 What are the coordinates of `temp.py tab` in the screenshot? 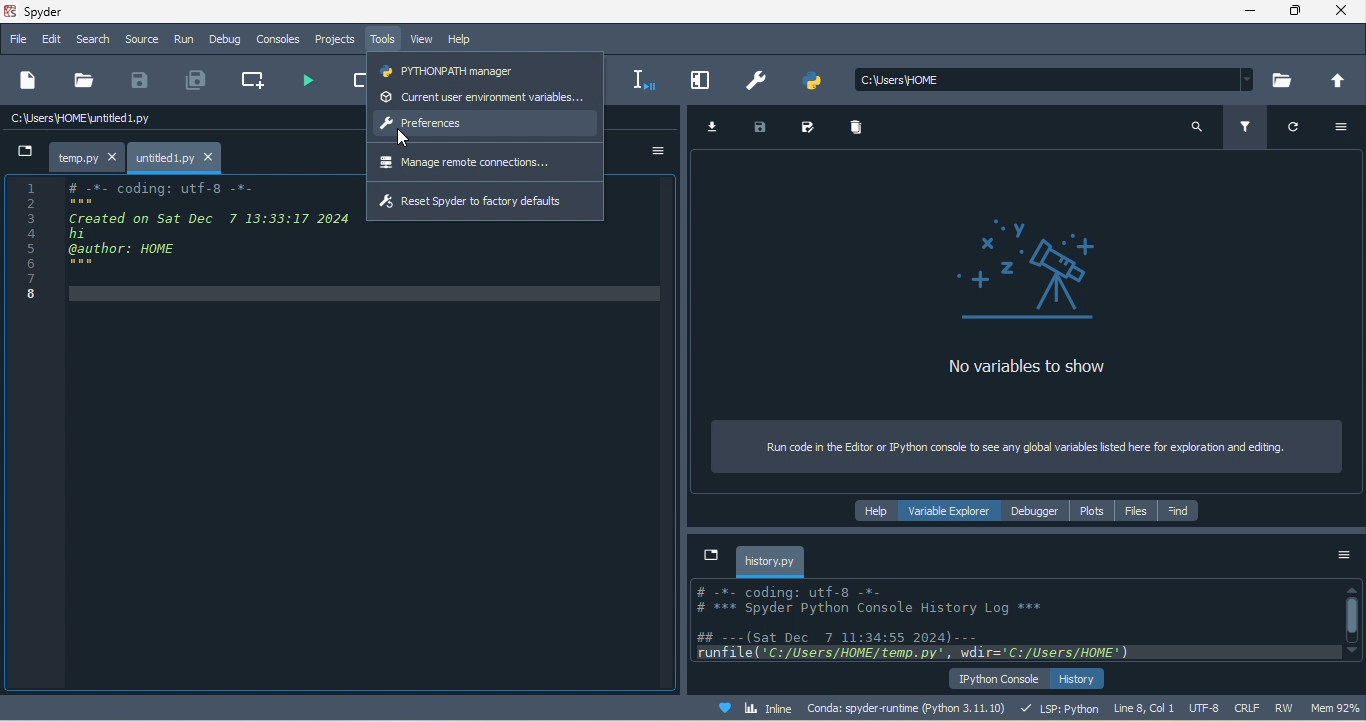 It's located at (85, 154).